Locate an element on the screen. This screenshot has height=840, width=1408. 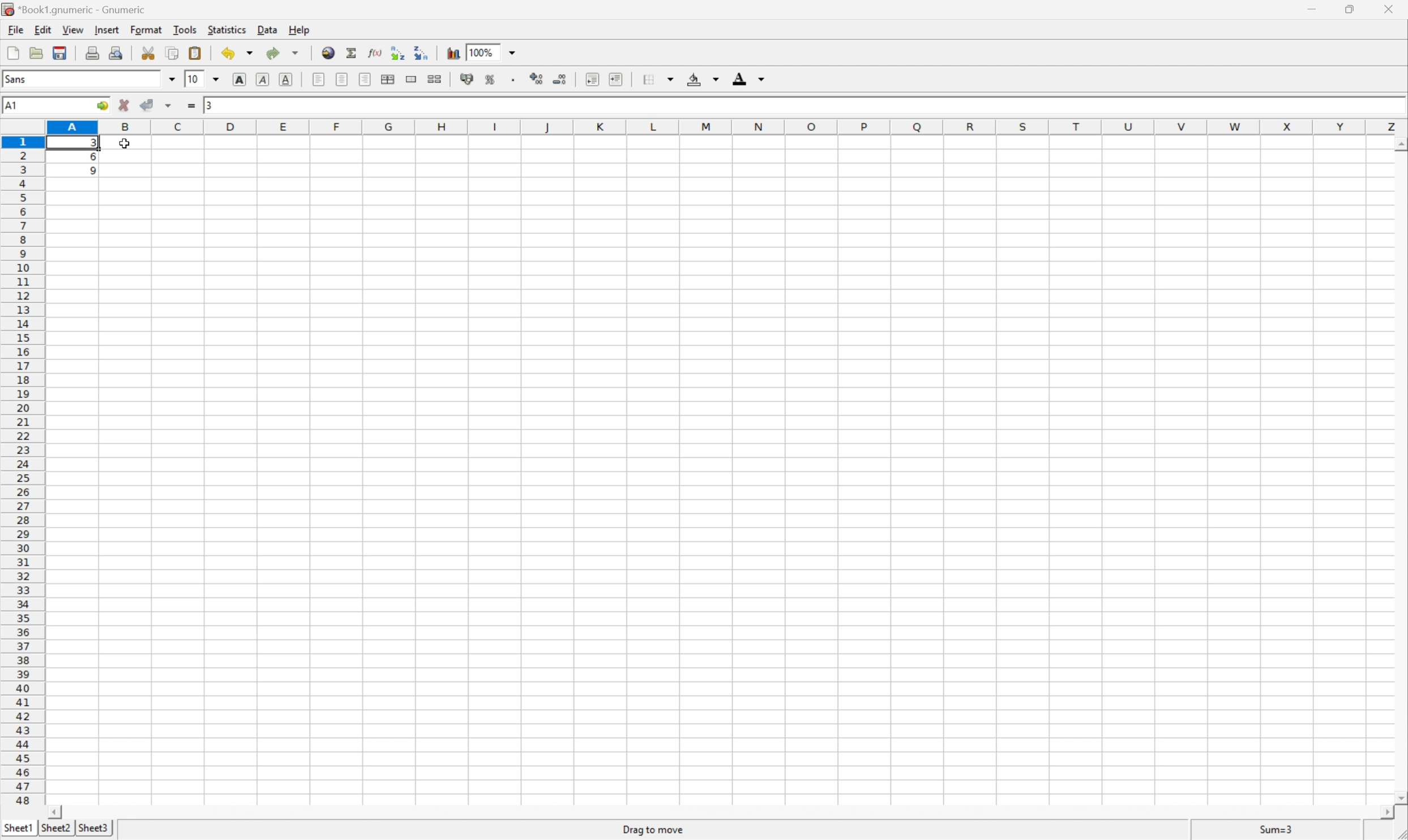
Cancel changes is located at coordinates (125, 104).